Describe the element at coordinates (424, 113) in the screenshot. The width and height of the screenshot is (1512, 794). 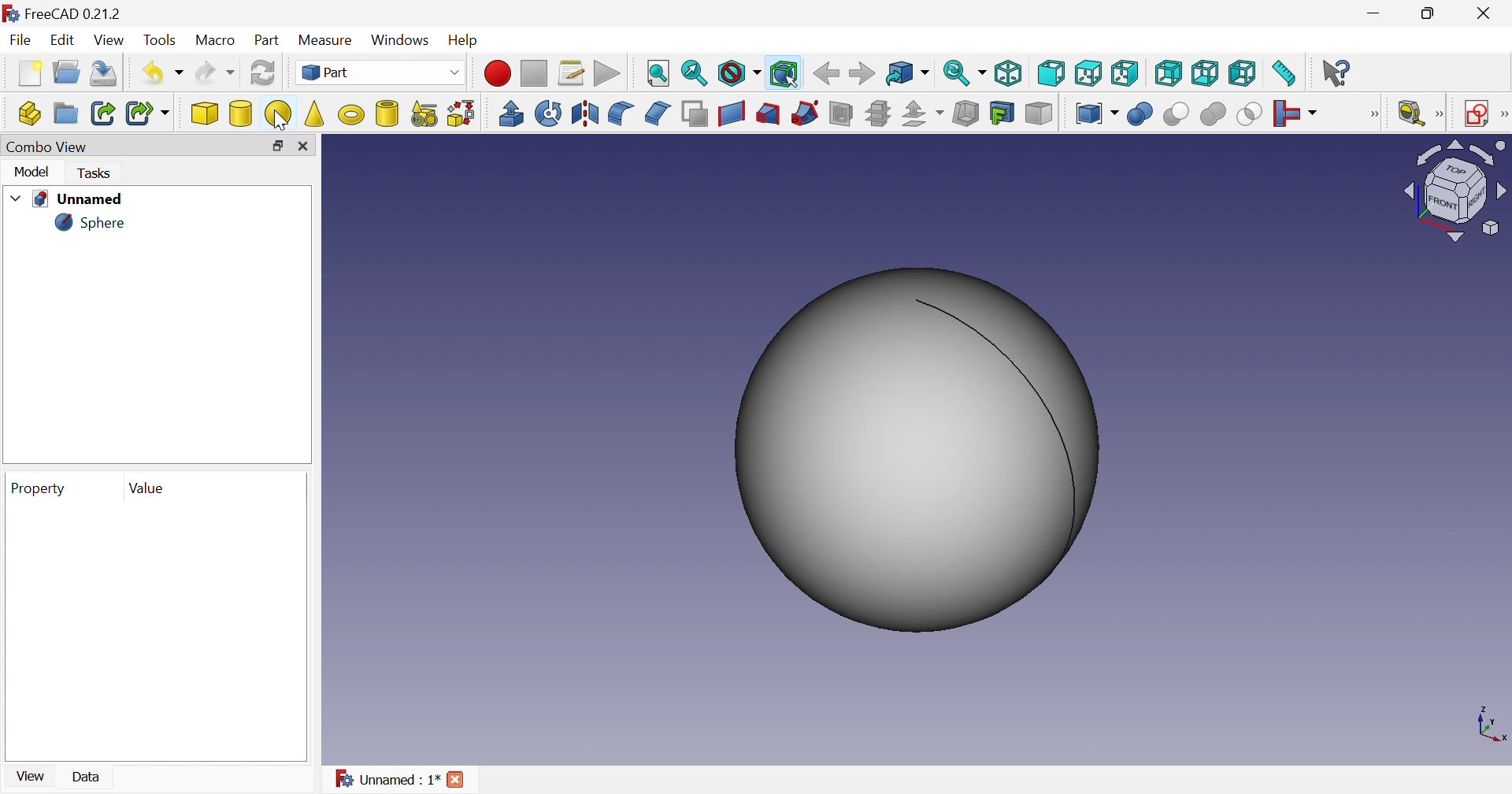
I see `Create primitives...` at that location.